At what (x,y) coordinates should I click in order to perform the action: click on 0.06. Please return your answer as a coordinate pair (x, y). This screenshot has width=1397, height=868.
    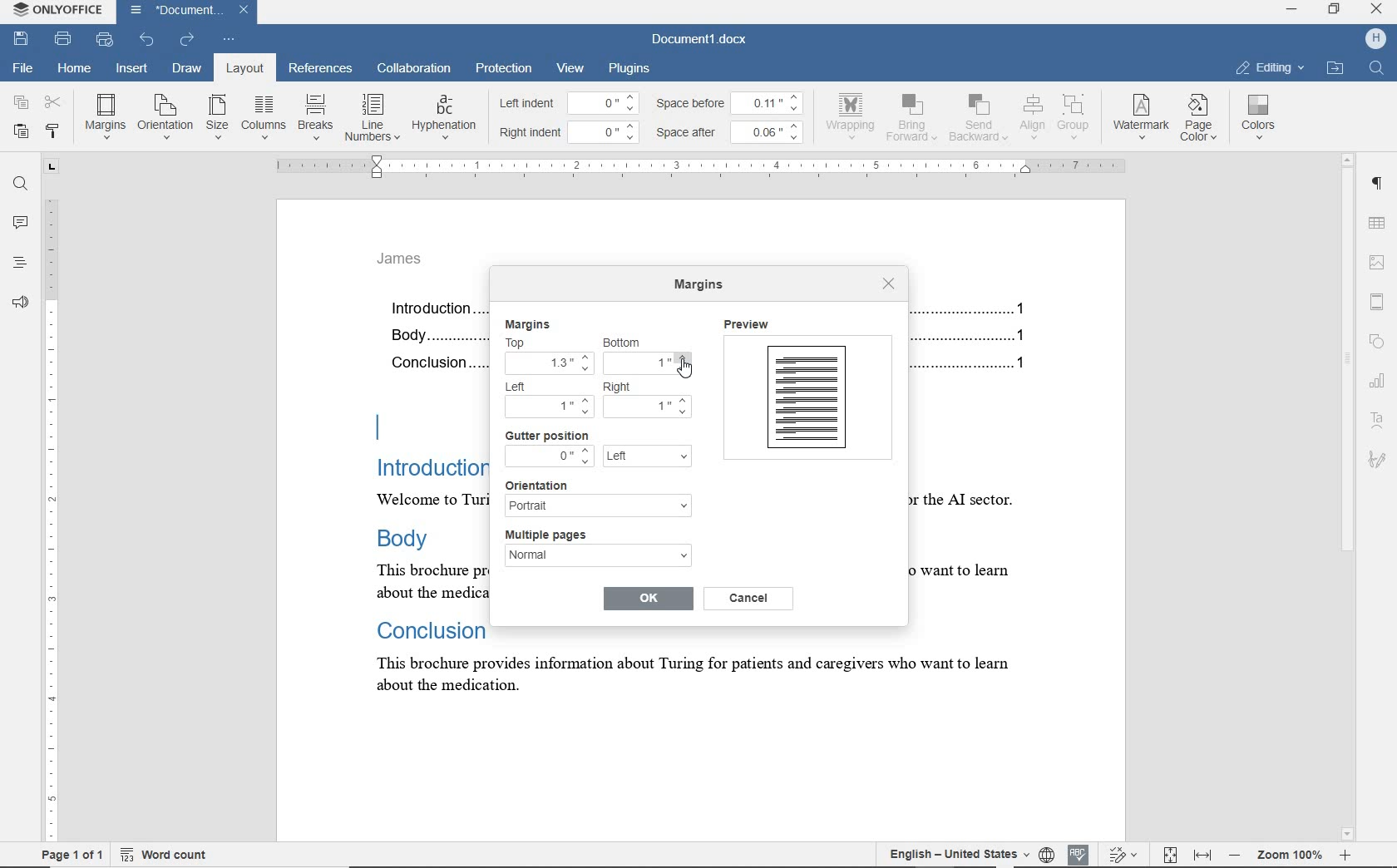
    Looking at the image, I should click on (771, 131).